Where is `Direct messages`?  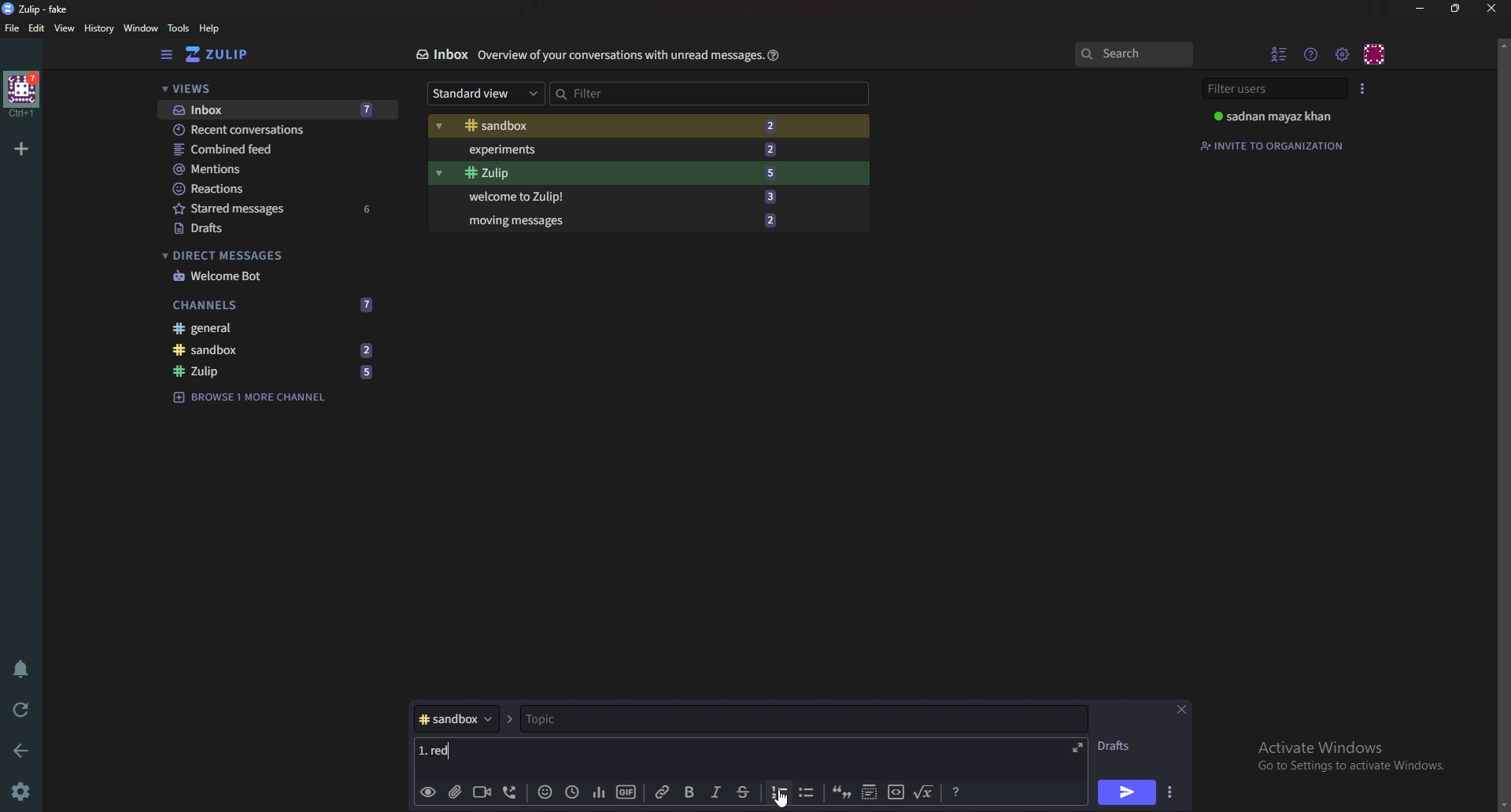 Direct messages is located at coordinates (268, 256).